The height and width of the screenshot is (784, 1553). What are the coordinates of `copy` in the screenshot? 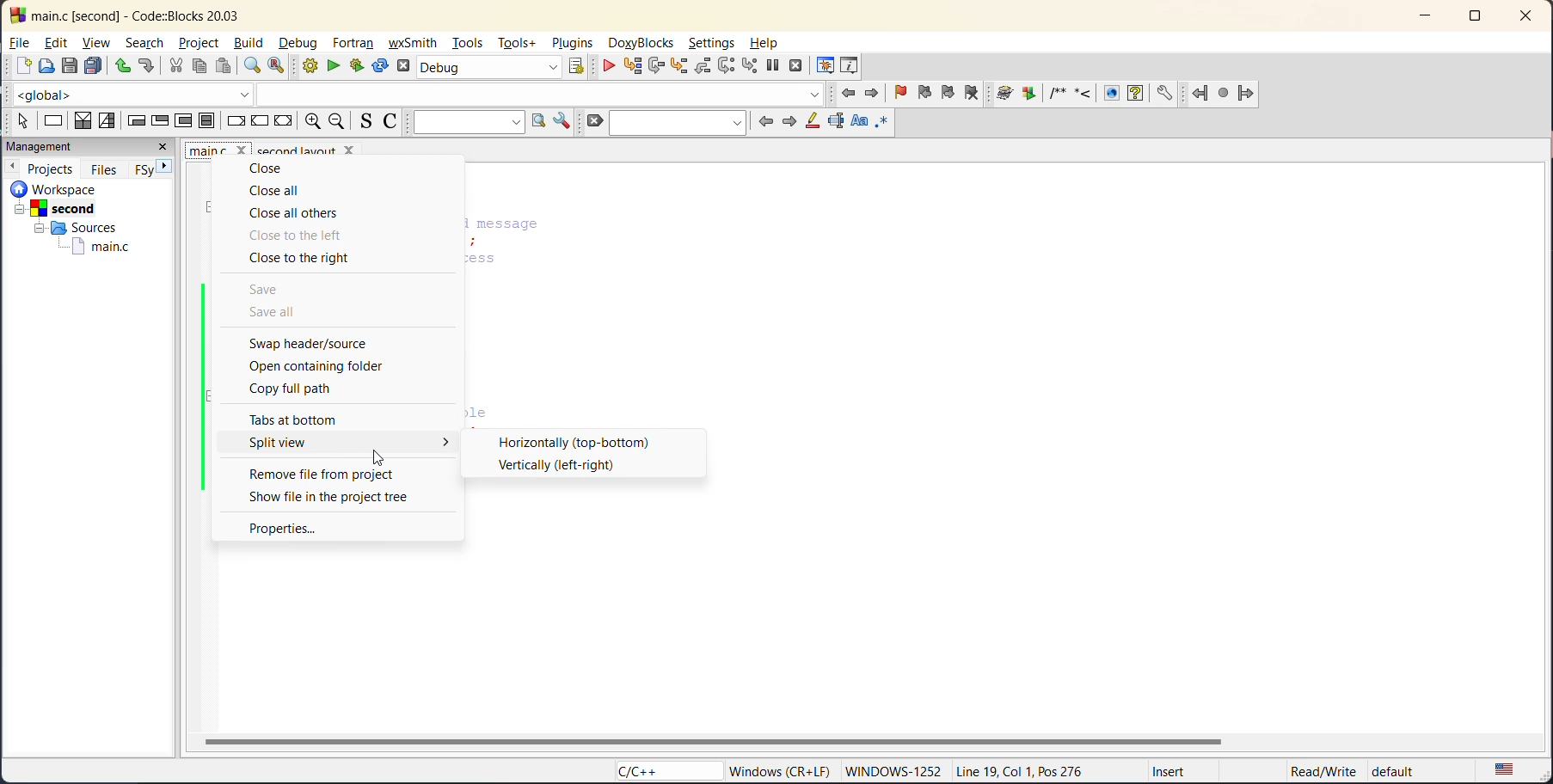 It's located at (198, 67).